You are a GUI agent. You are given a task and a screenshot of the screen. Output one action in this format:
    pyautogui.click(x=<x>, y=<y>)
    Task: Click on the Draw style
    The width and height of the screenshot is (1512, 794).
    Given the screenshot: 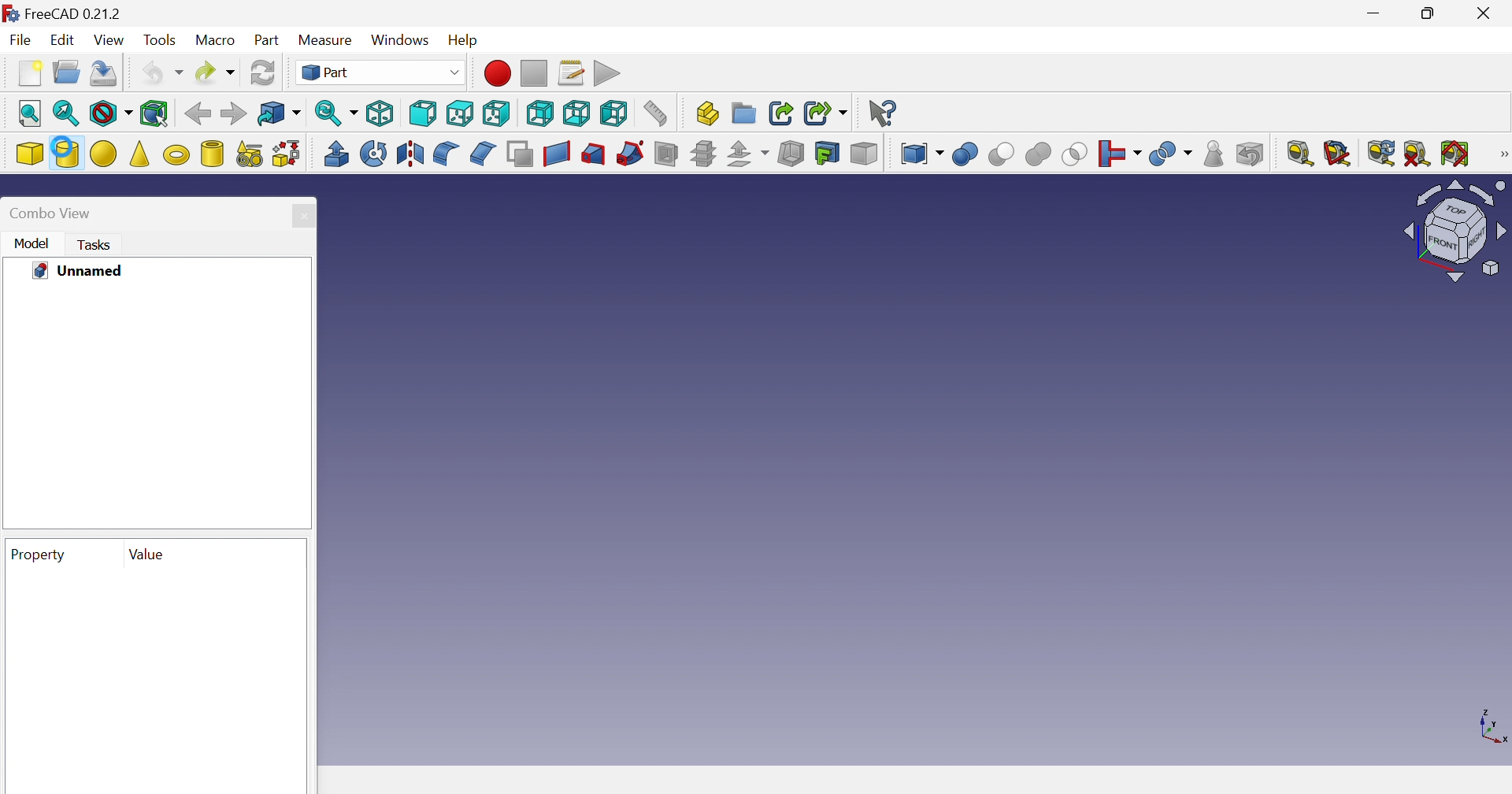 What is the action you would take?
    pyautogui.click(x=109, y=113)
    